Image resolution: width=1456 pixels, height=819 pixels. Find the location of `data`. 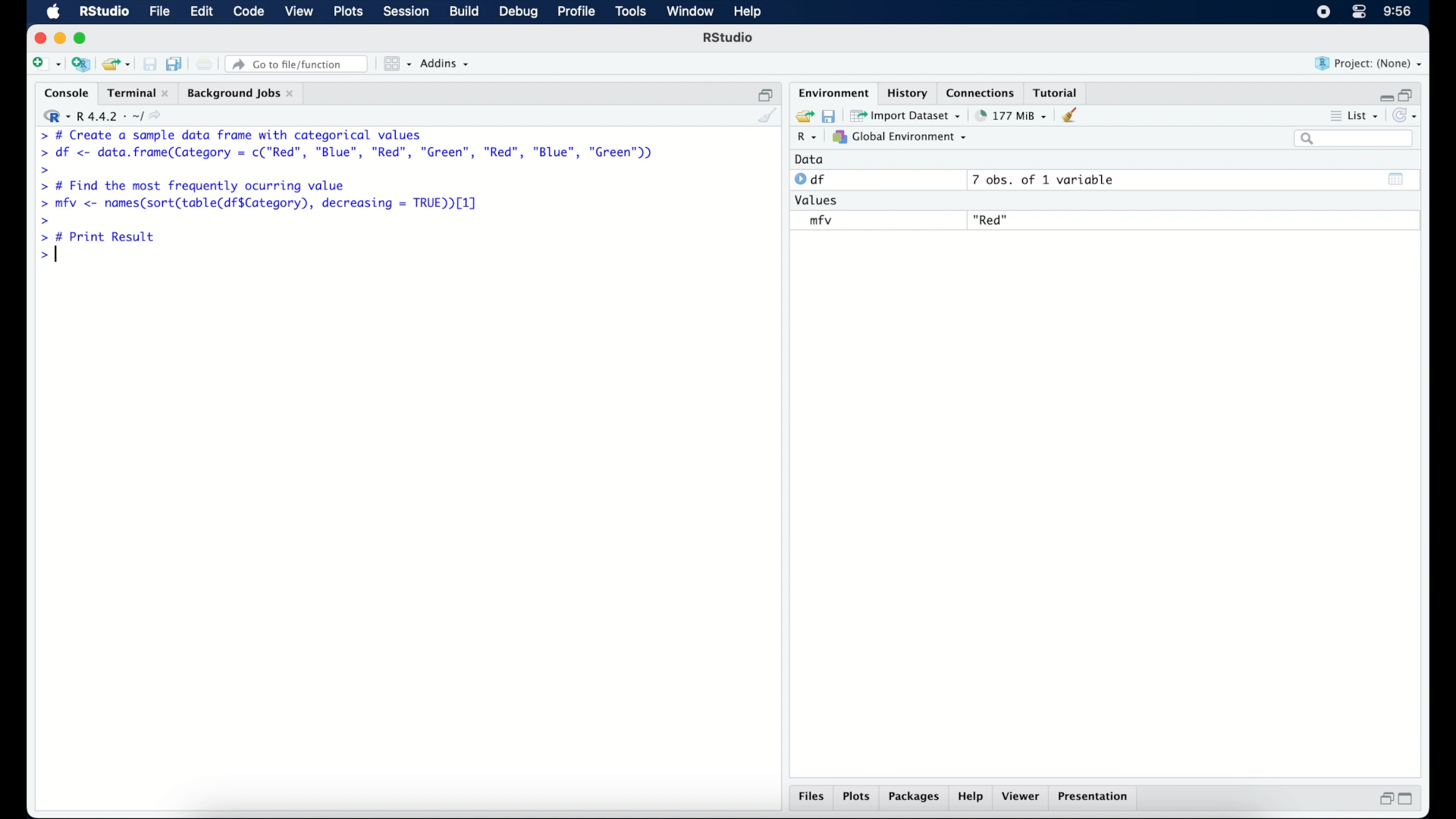

data is located at coordinates (814, 159).